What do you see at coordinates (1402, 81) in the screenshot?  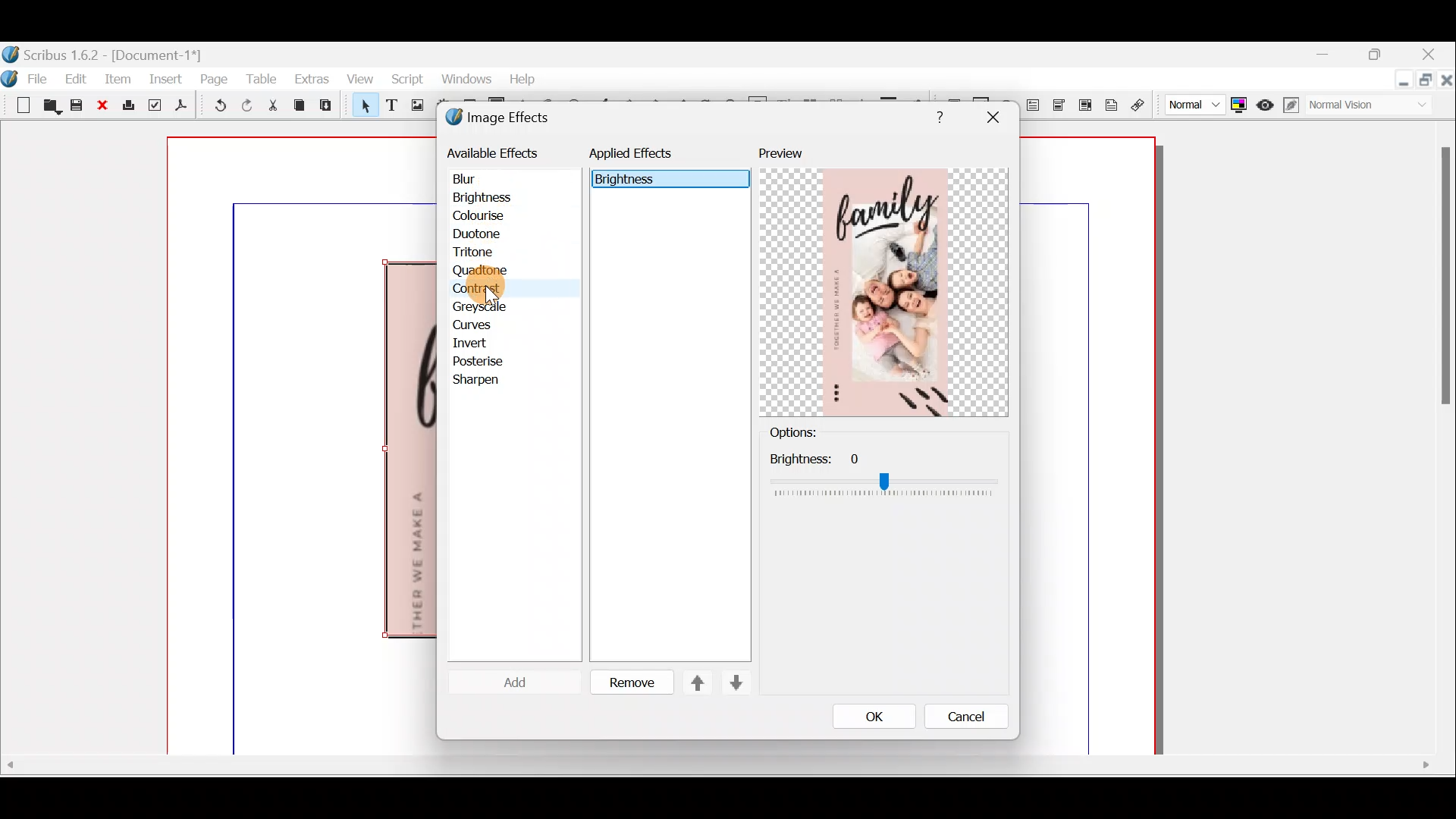 I see `Minimise` at bounding box center [1402, 81].